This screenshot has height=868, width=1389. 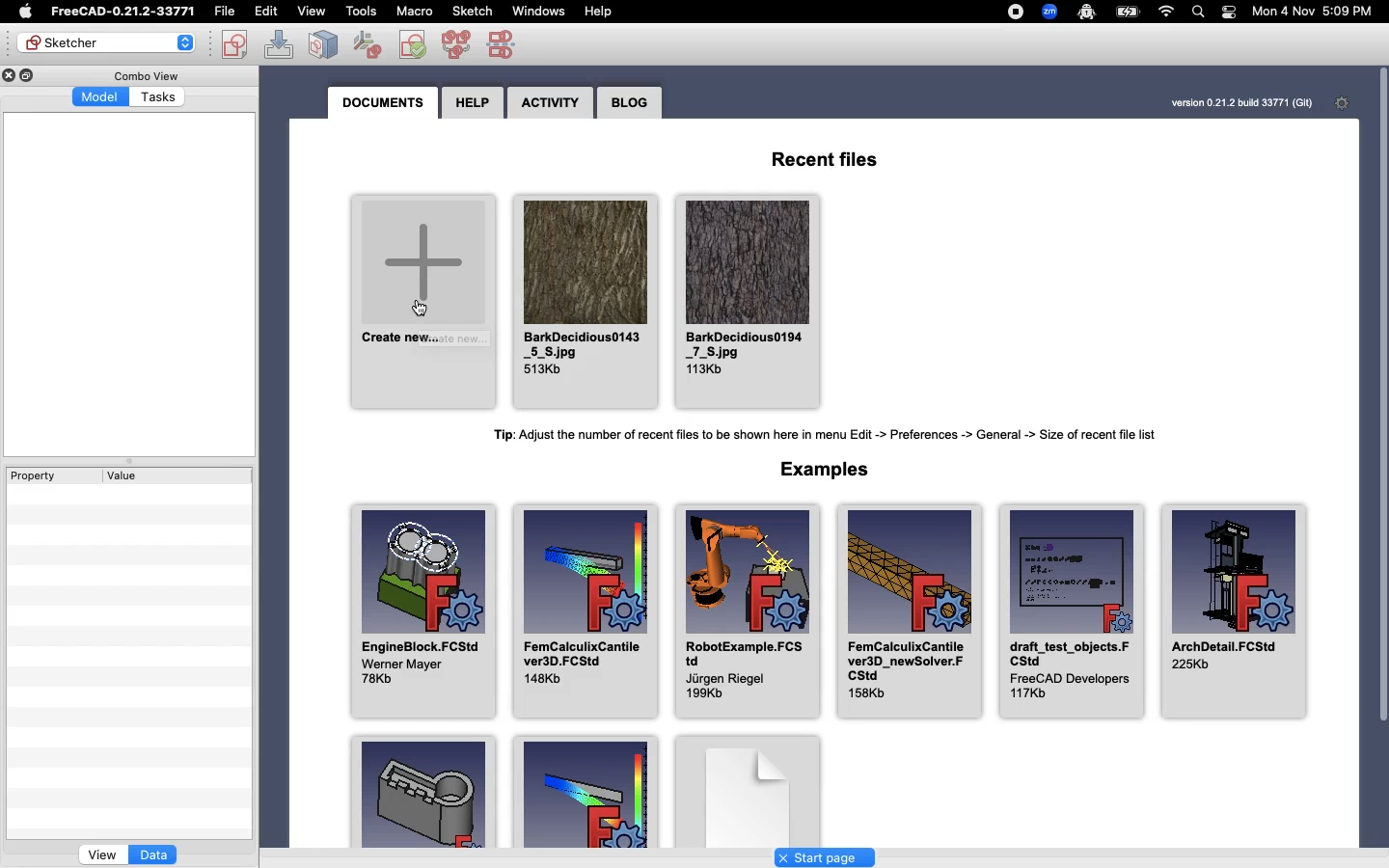 What do you see at coordinates (368, 44) in the screenshot?
I see `Validate sketch` at bounding box center [368, 44].